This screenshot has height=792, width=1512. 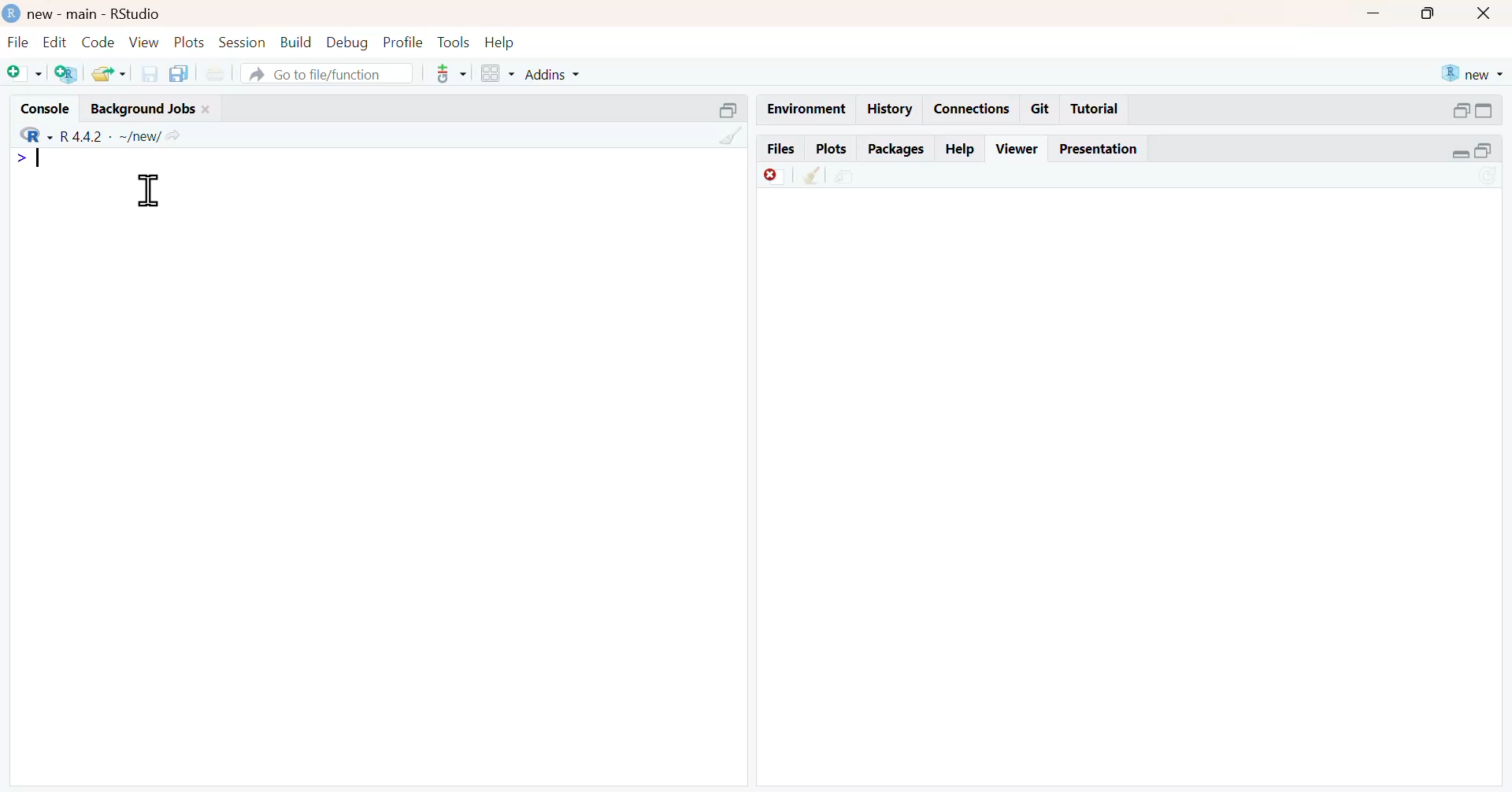 I want to click on viewer, so click(x=1018, y=148).